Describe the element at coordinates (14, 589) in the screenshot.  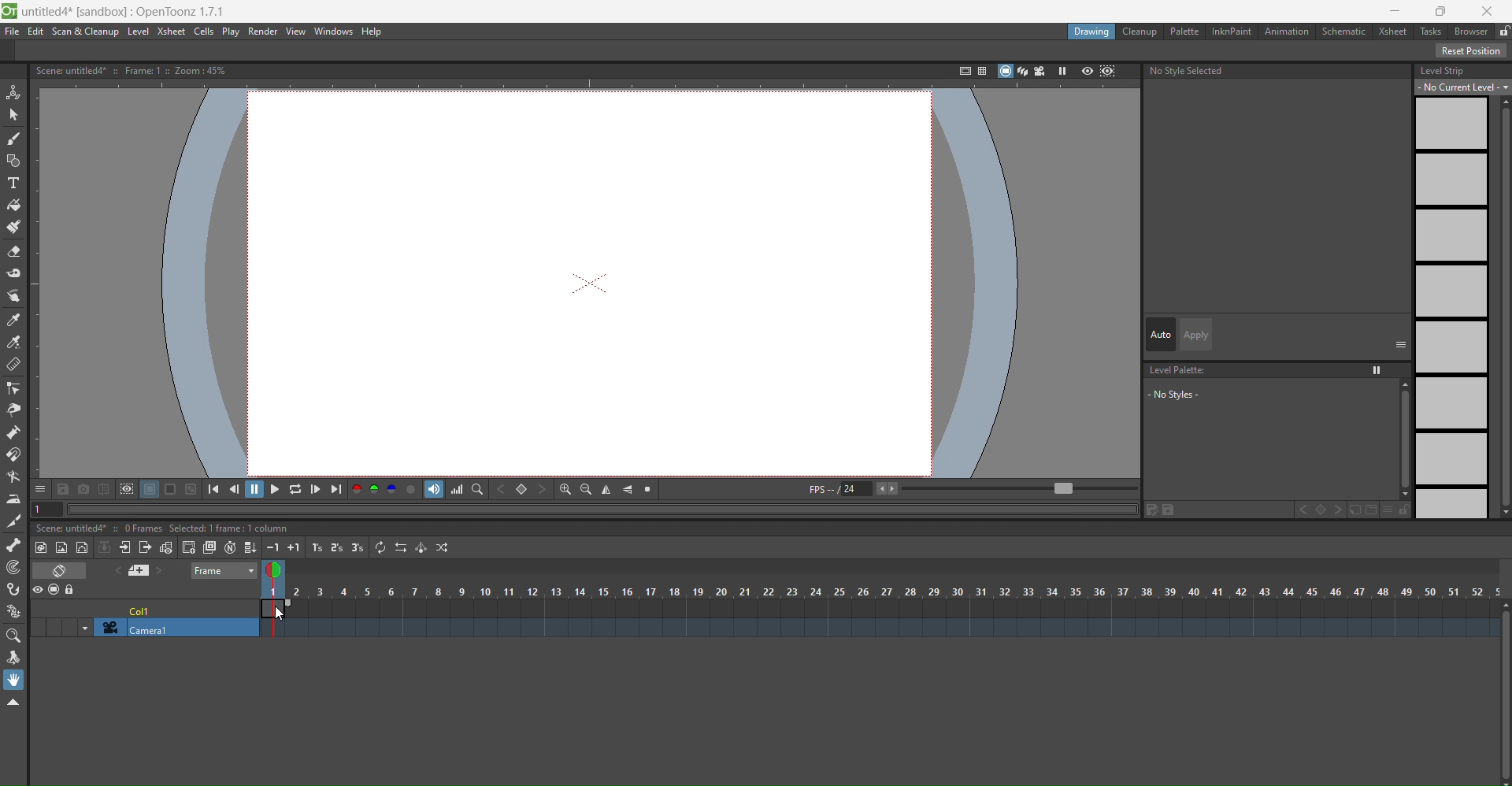
I see `hook tool` at that location.